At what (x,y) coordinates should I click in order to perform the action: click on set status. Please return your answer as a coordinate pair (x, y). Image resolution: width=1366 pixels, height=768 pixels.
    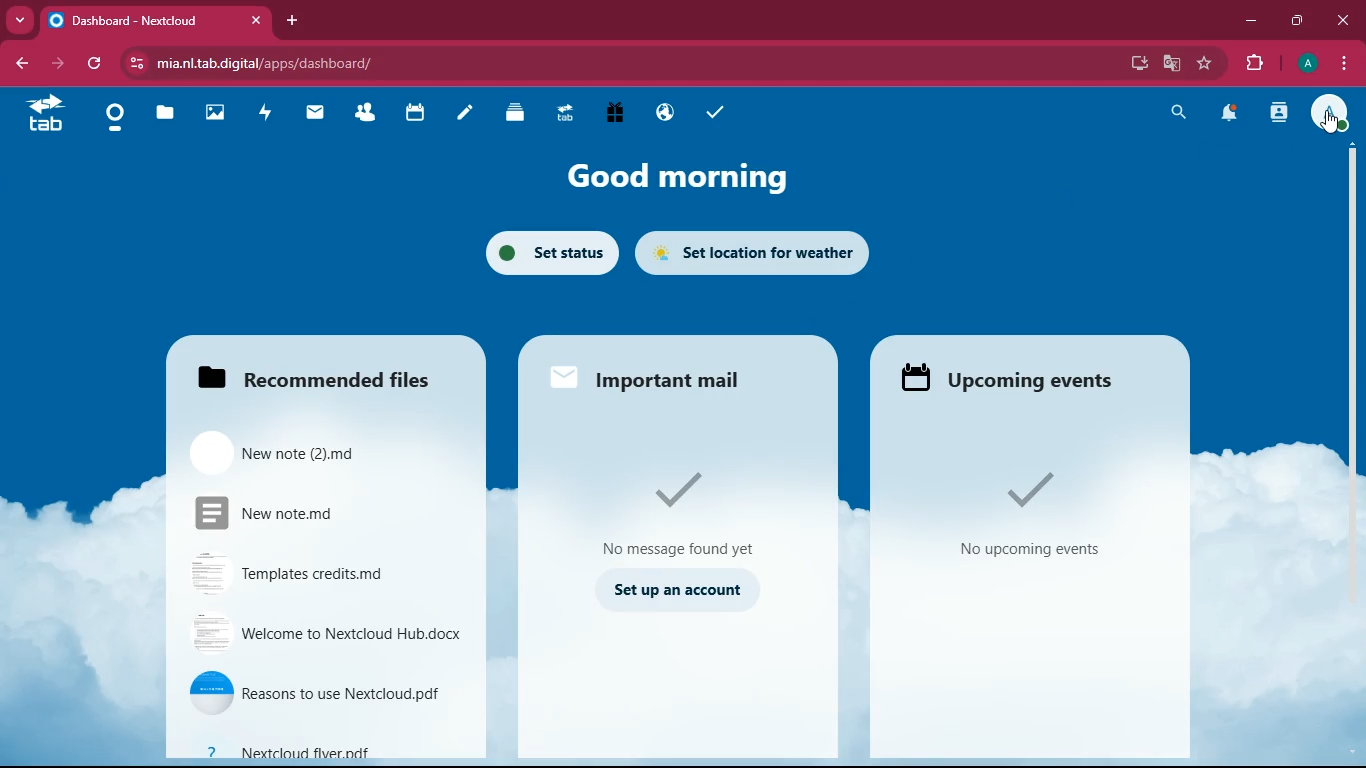
    Looking at the image, I should click on (546, 251).